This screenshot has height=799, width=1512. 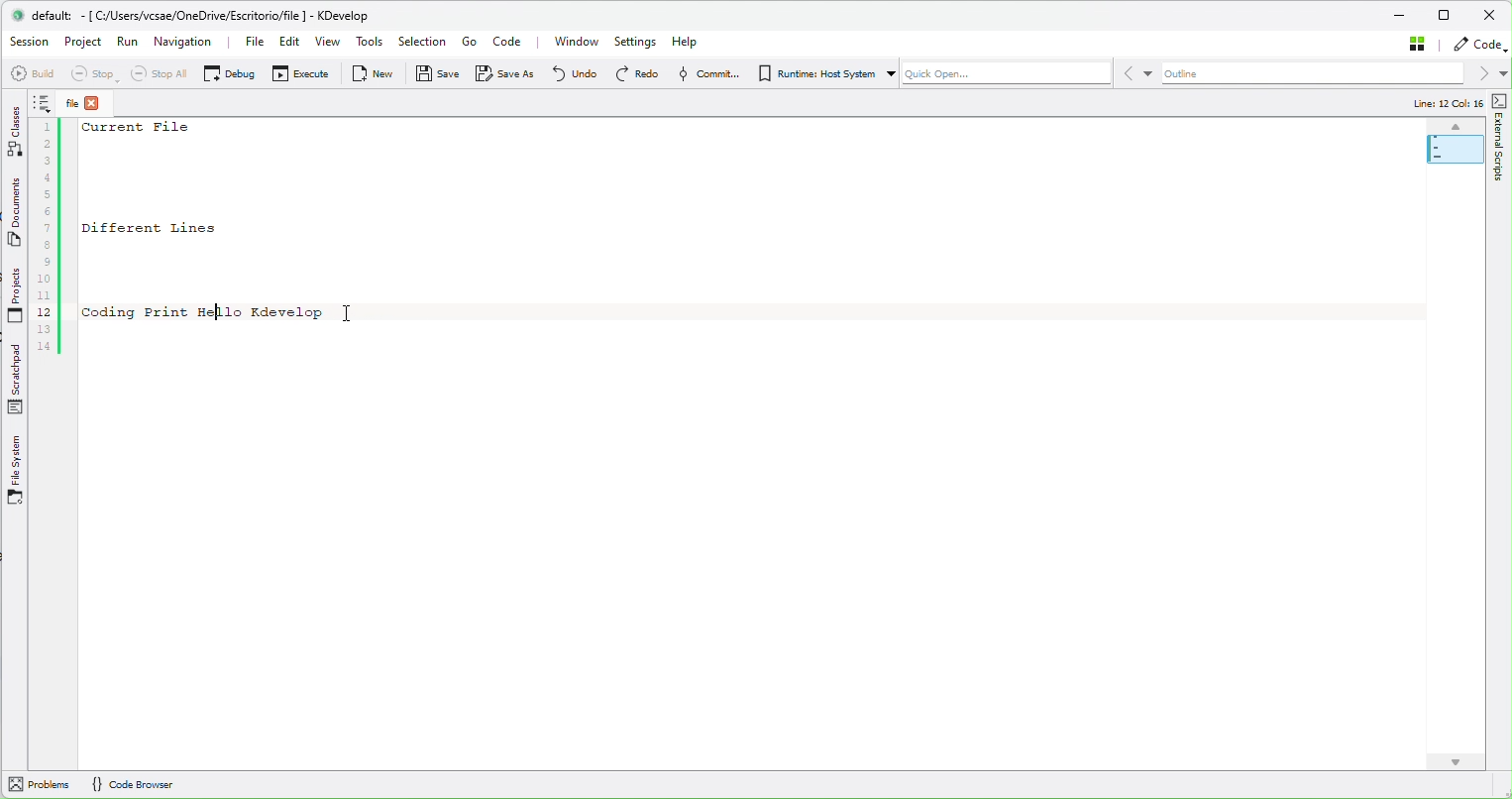 I want to click on Maximize, so click(x=1449, y=17).